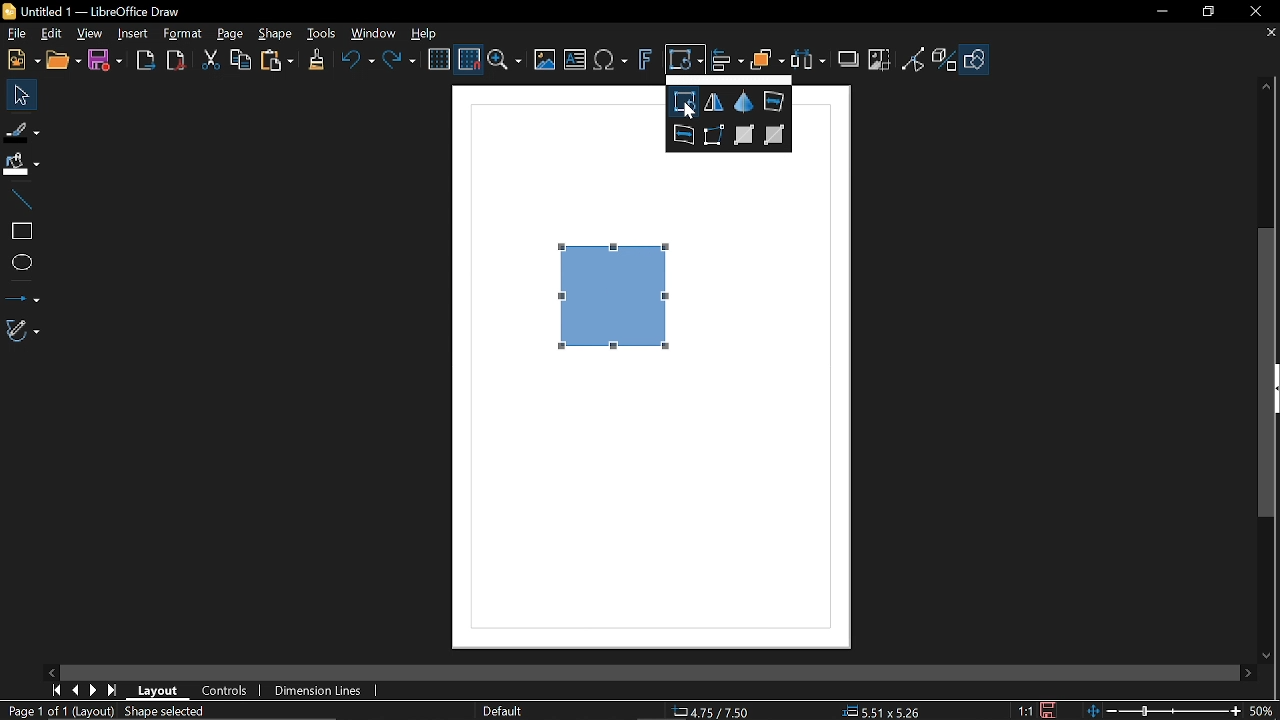 The image size is (1280, 720). I want to click on Line, so click(20, 200).